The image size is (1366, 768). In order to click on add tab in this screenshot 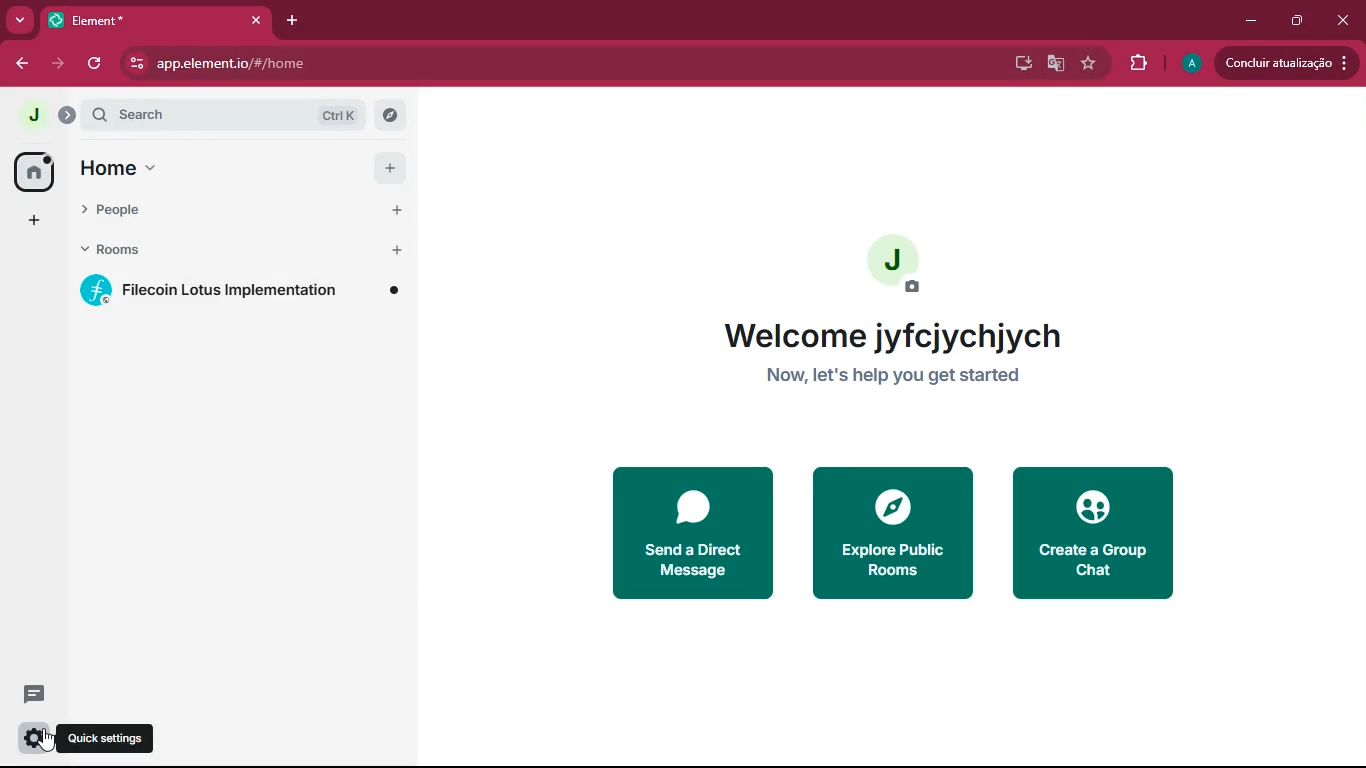, I will do `click(295, 16)`.